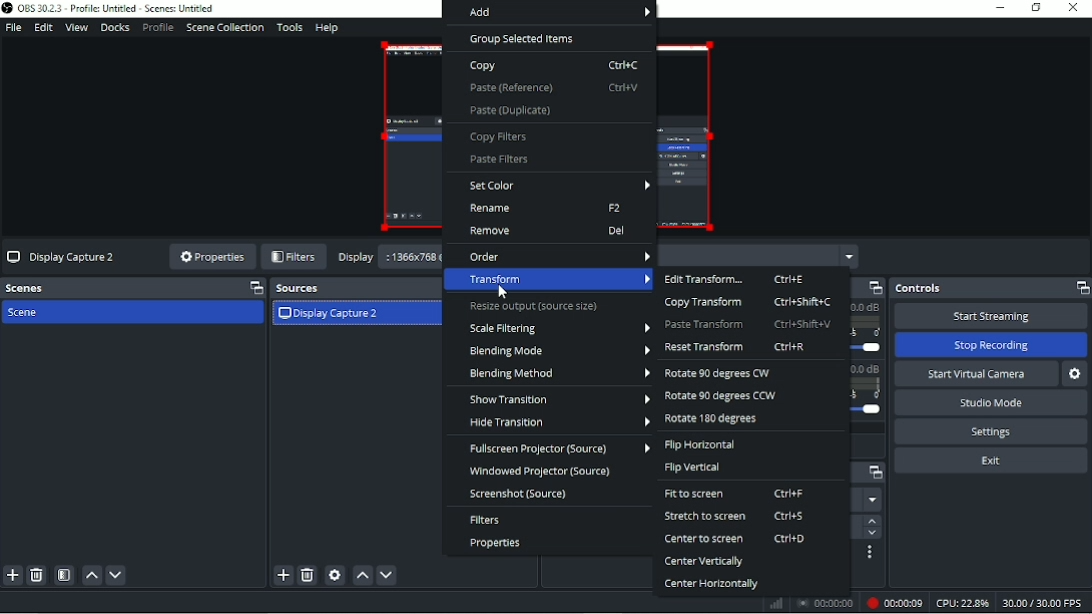 This screenshot has height=614, width=1092. I want to click on Add source, so click(282, 575).